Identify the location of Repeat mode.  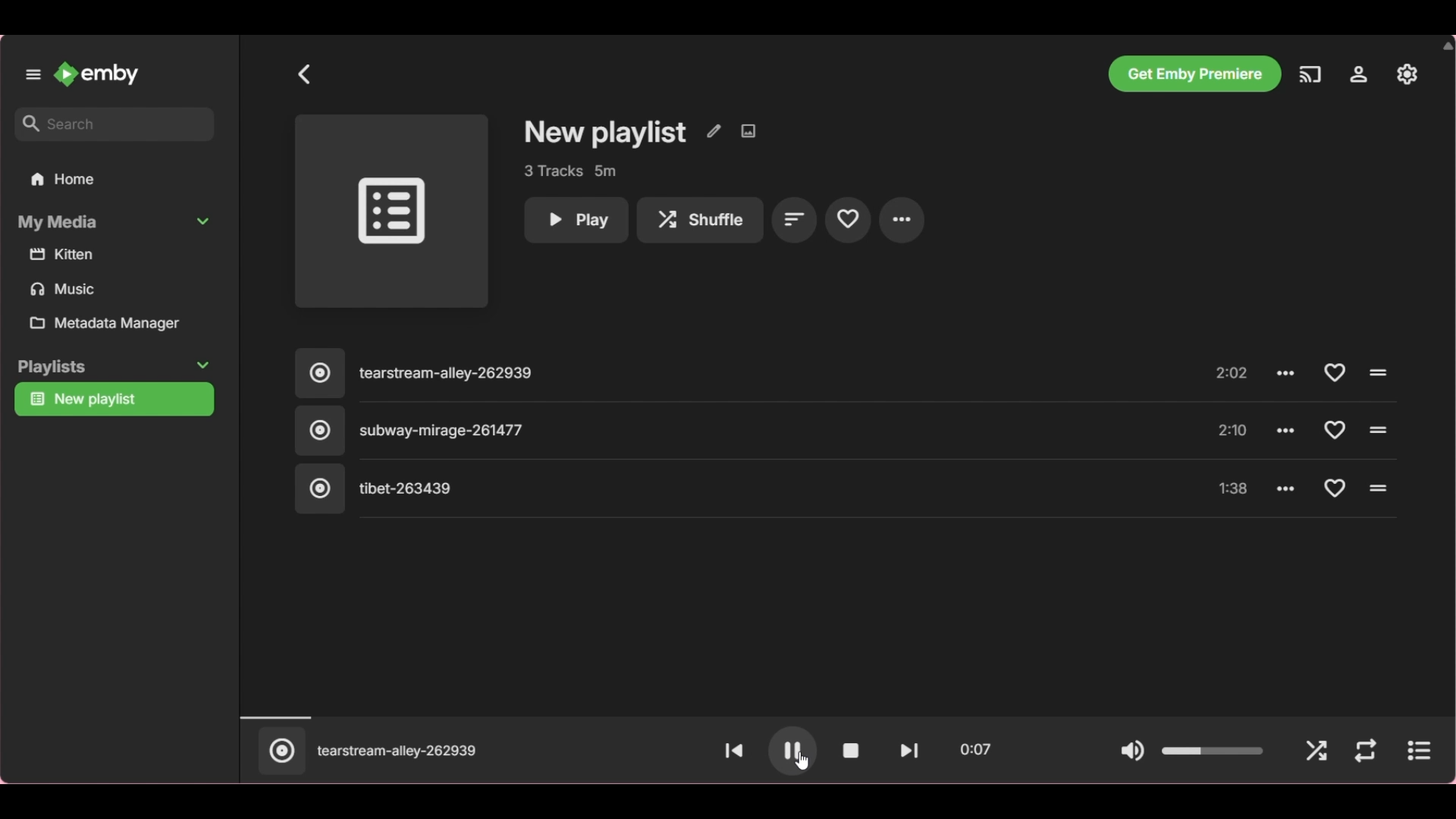
(1365, 752).